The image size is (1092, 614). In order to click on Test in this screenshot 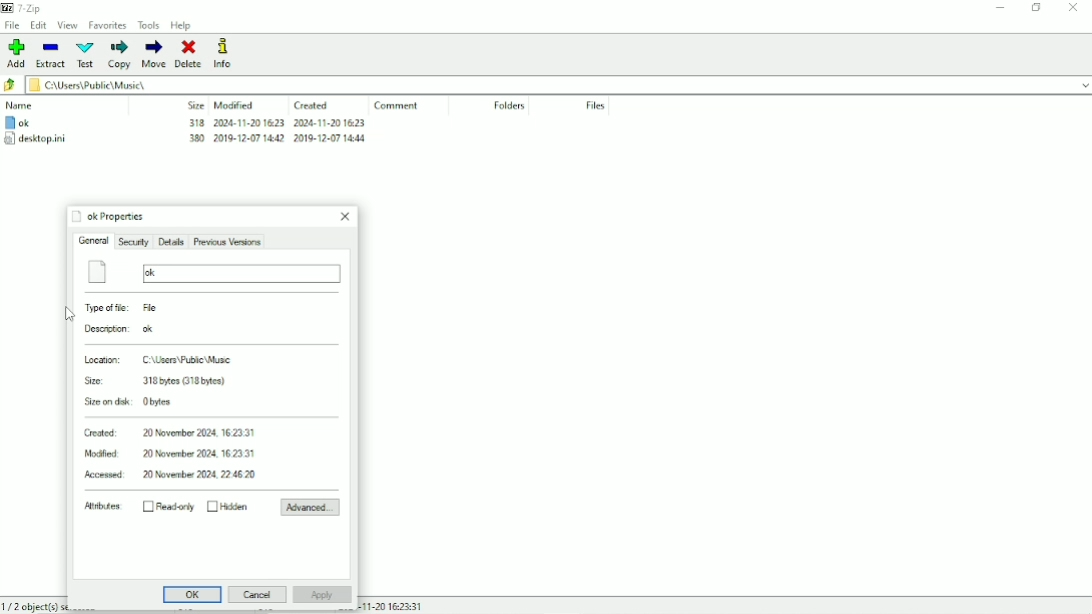, I will do `click(85, 54)`.